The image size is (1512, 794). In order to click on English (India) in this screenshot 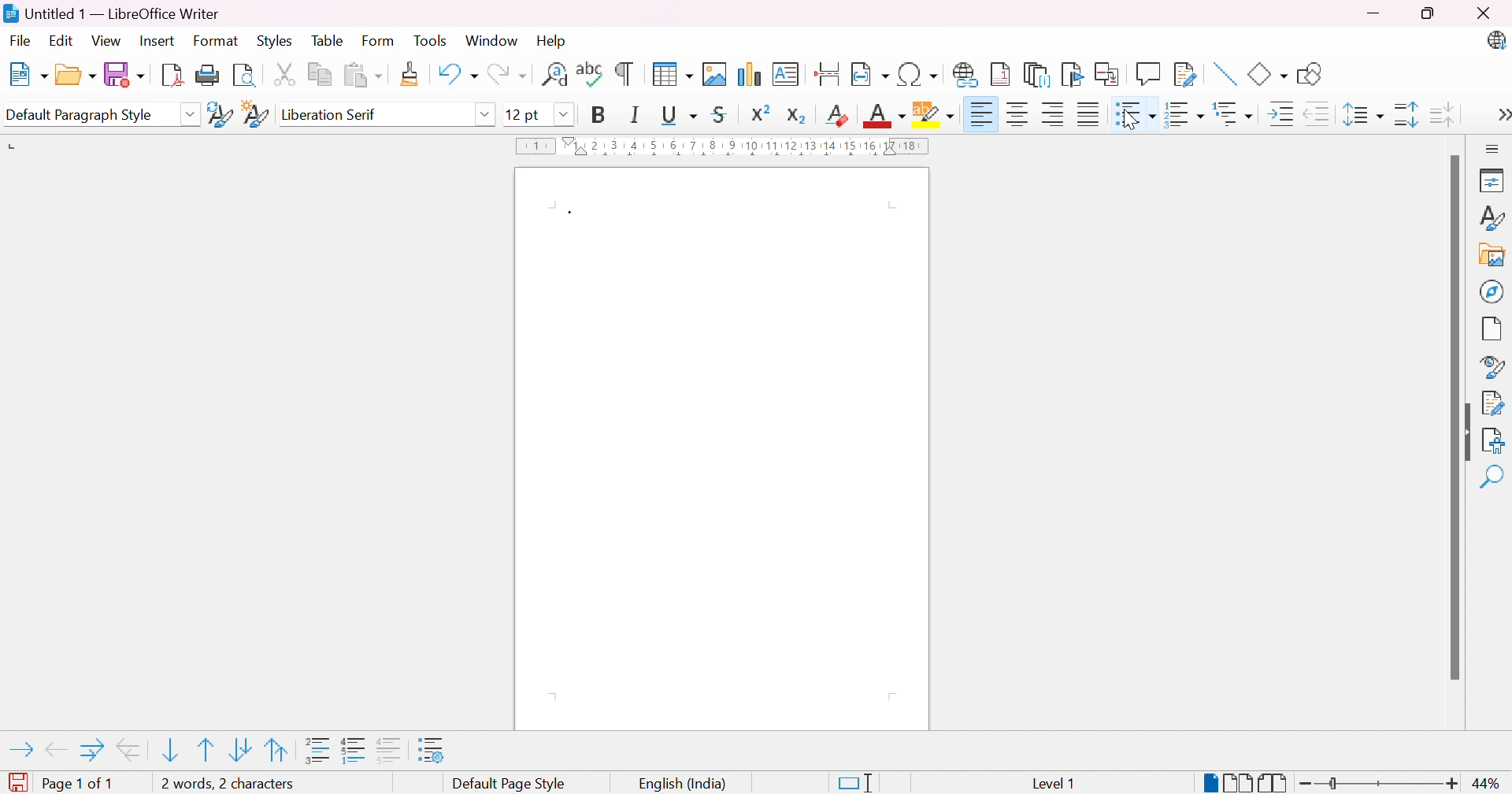, I will do `click(684, 785)`.